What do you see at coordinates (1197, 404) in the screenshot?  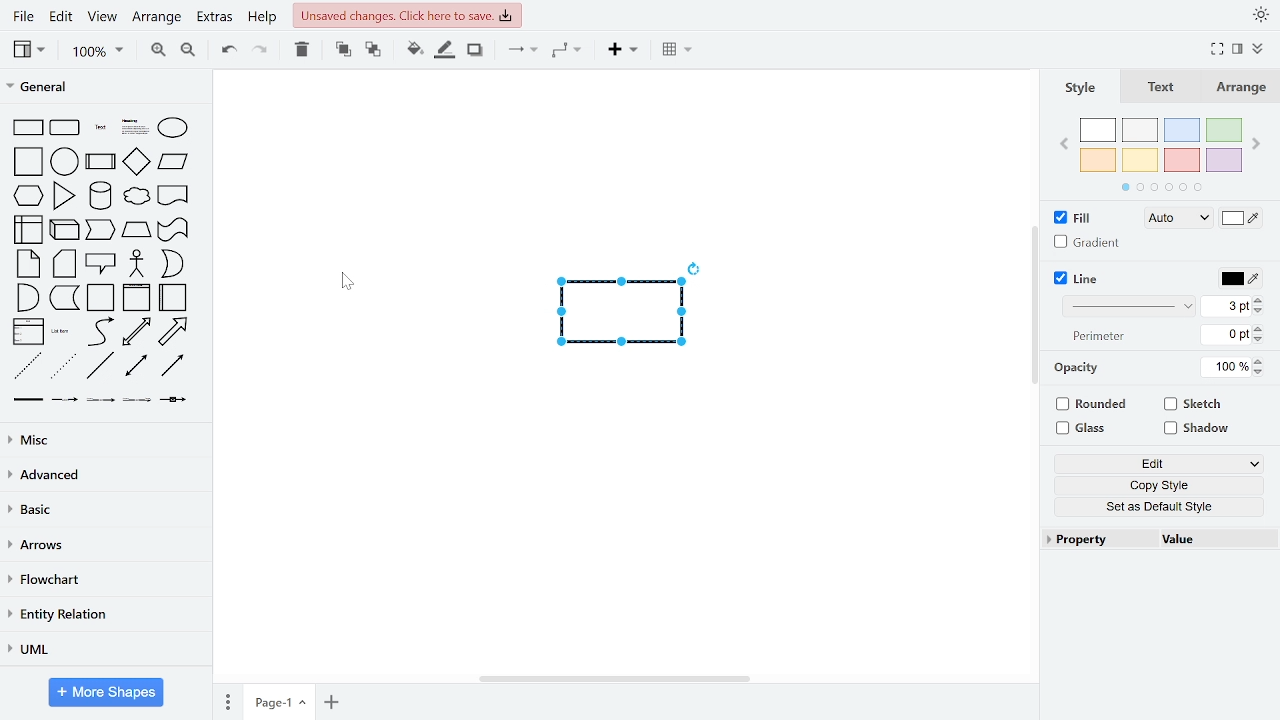 I see `sketch` at bounding box center [1197, 404].